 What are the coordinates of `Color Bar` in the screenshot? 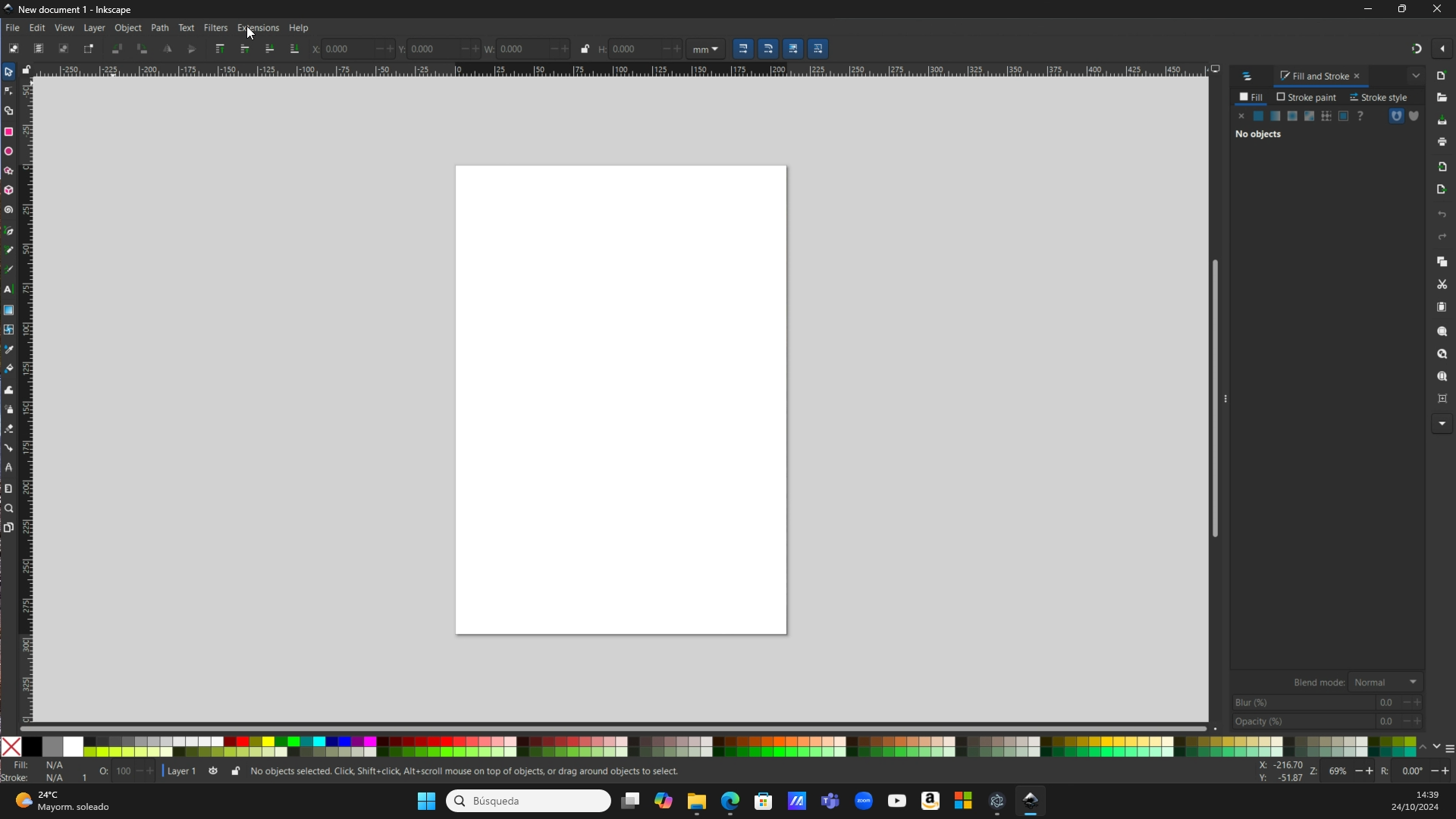 It's located at (745, 746).